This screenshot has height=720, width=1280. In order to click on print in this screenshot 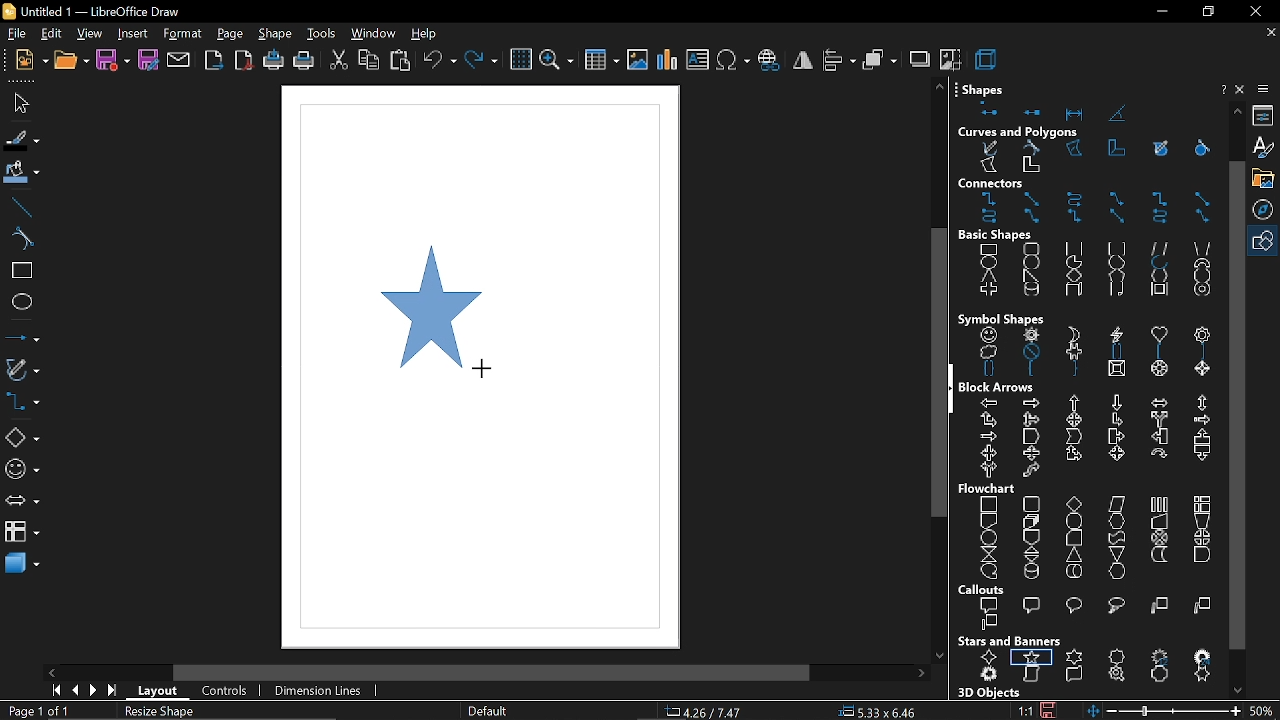, I will do `click(303, 62)`.